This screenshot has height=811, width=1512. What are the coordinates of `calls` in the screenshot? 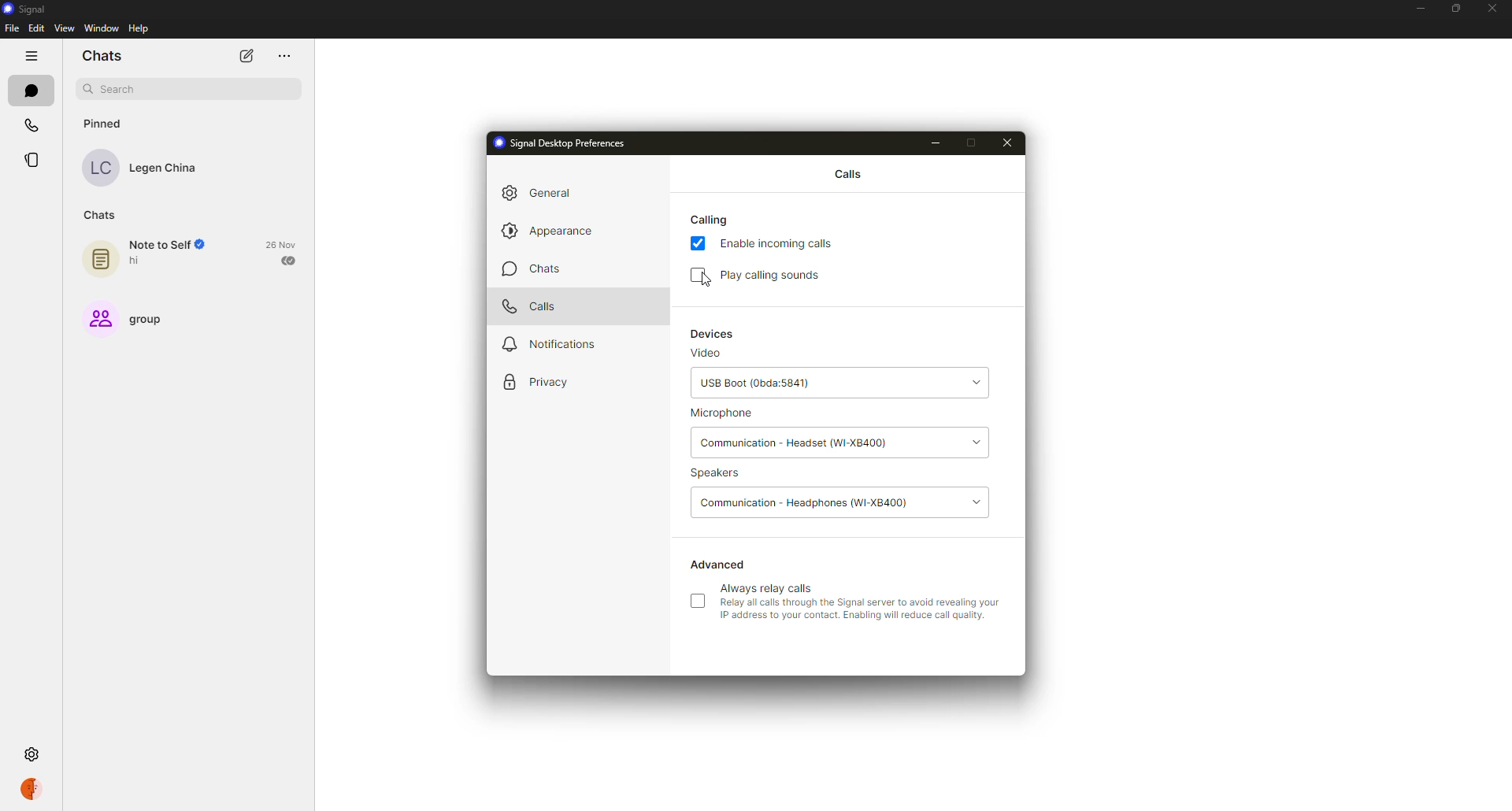 It's located at (851, 174).